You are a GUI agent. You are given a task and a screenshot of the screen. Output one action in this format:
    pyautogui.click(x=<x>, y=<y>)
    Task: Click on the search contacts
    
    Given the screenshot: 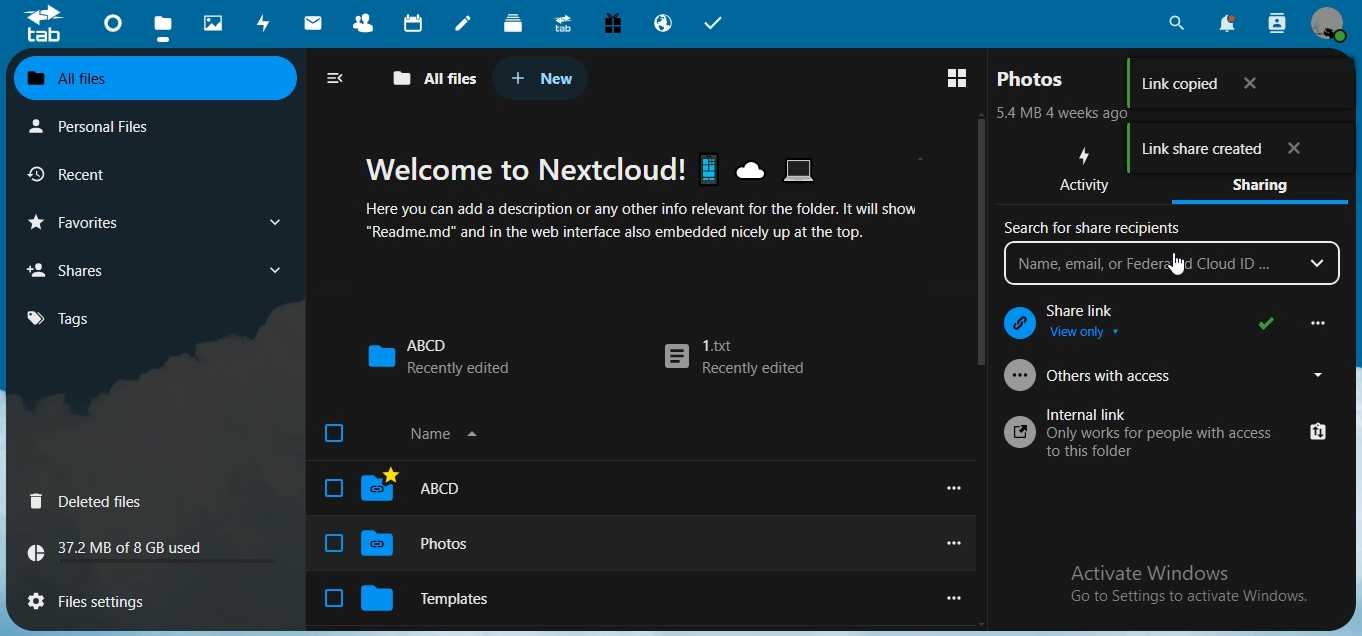 What is the action you would take?
    pyautogui.click(x=1277, y=23)
    